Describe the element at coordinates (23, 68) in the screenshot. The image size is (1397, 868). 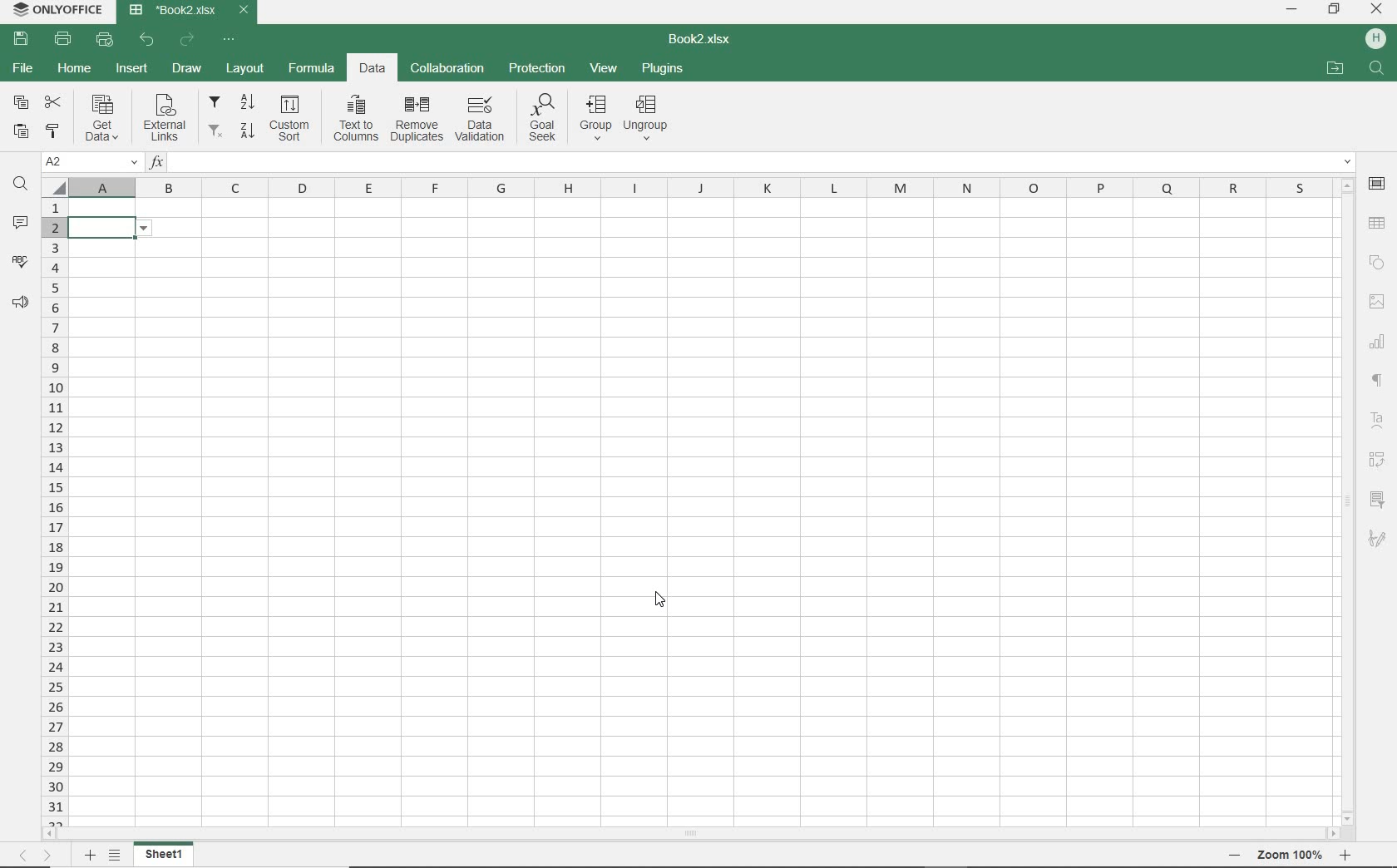
I see `FILE` at that location.